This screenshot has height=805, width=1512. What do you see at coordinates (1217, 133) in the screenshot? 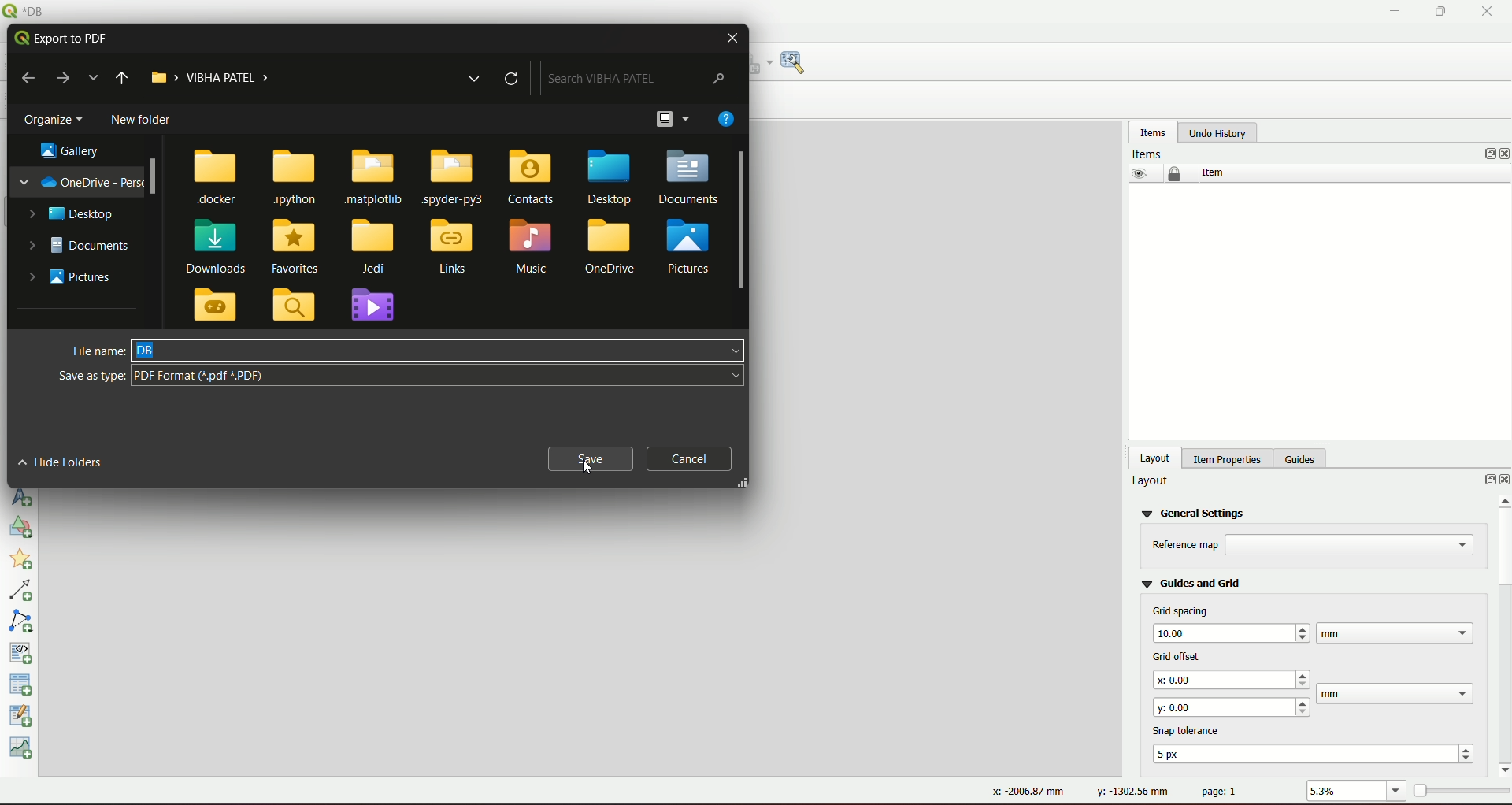
I see `undo history` at bounding box center [1217, 133].